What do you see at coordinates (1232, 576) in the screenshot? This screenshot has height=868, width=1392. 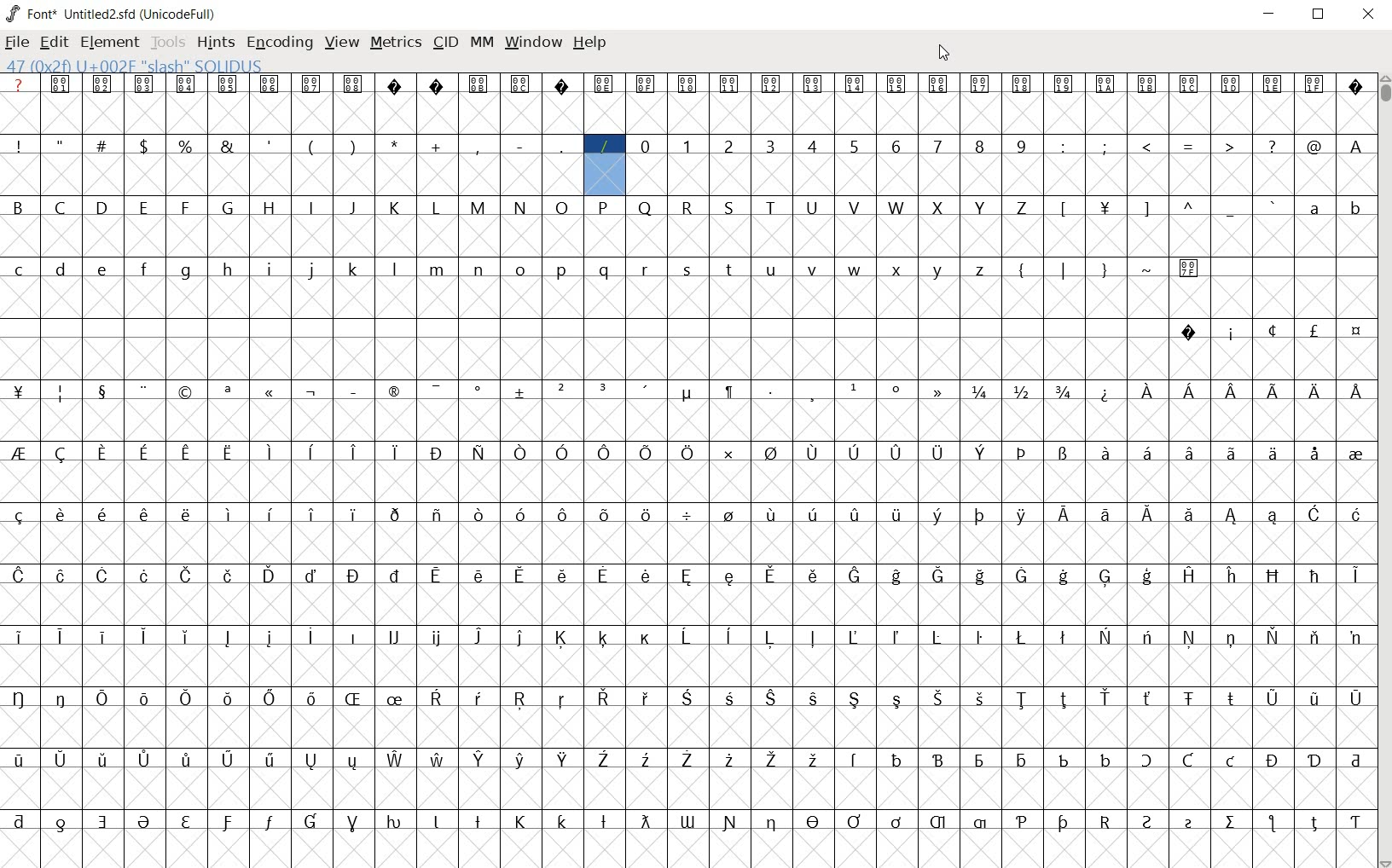 I see `glyph` at bounding box center [1232, 576].